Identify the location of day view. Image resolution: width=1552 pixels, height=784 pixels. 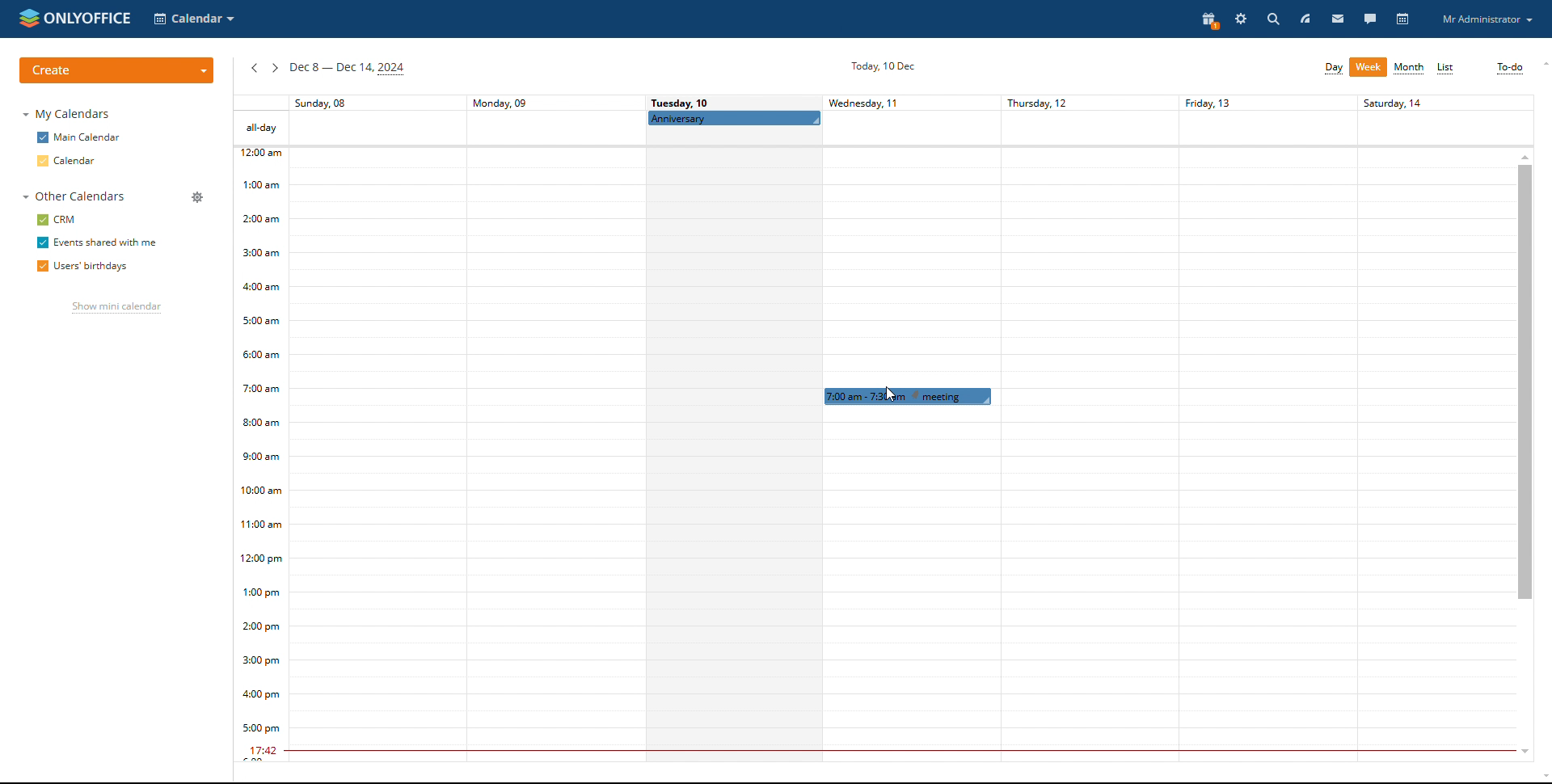
(1334, 69).